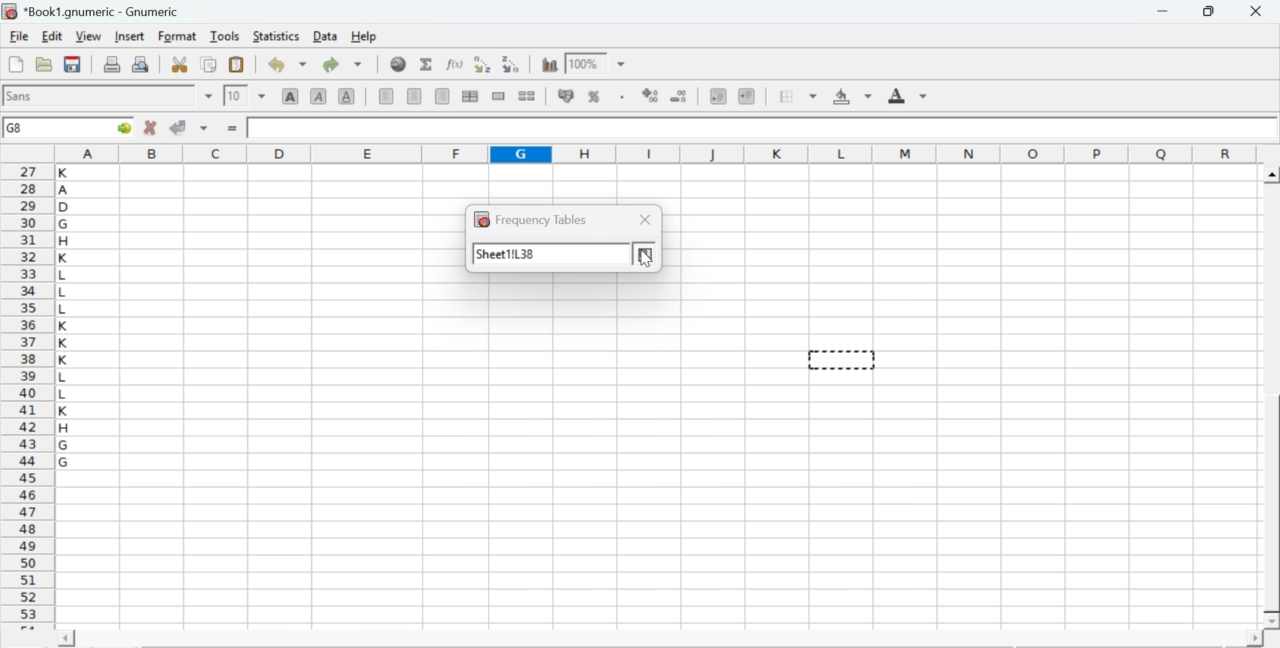 Image resolution: width=1280 pixels, height=648 pixels. What do you see at coordinates (73, 64) in the screenshot?
I see `save current workbook` at bounding box center [73, 64].